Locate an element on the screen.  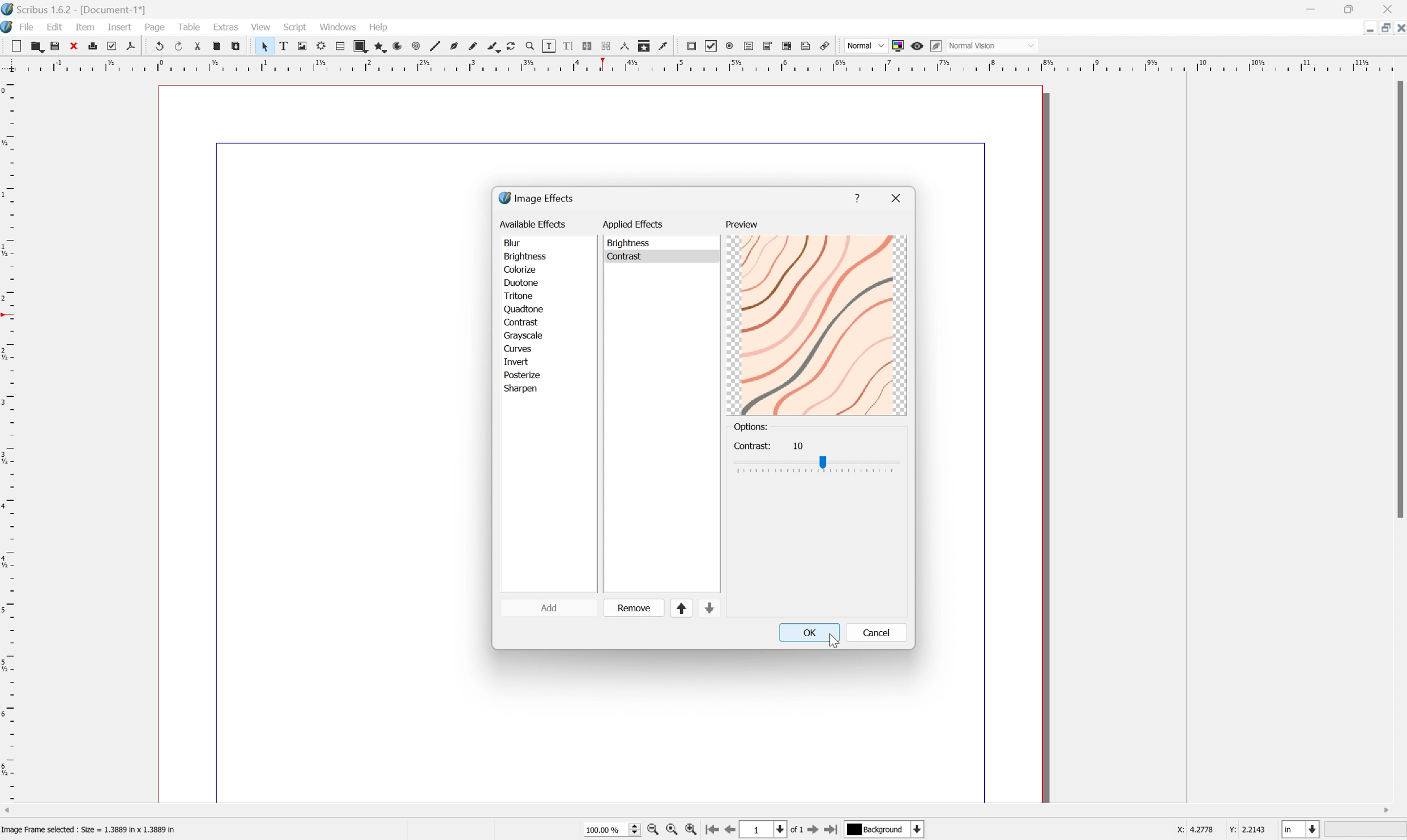
add is located at coordinates (555, 608).